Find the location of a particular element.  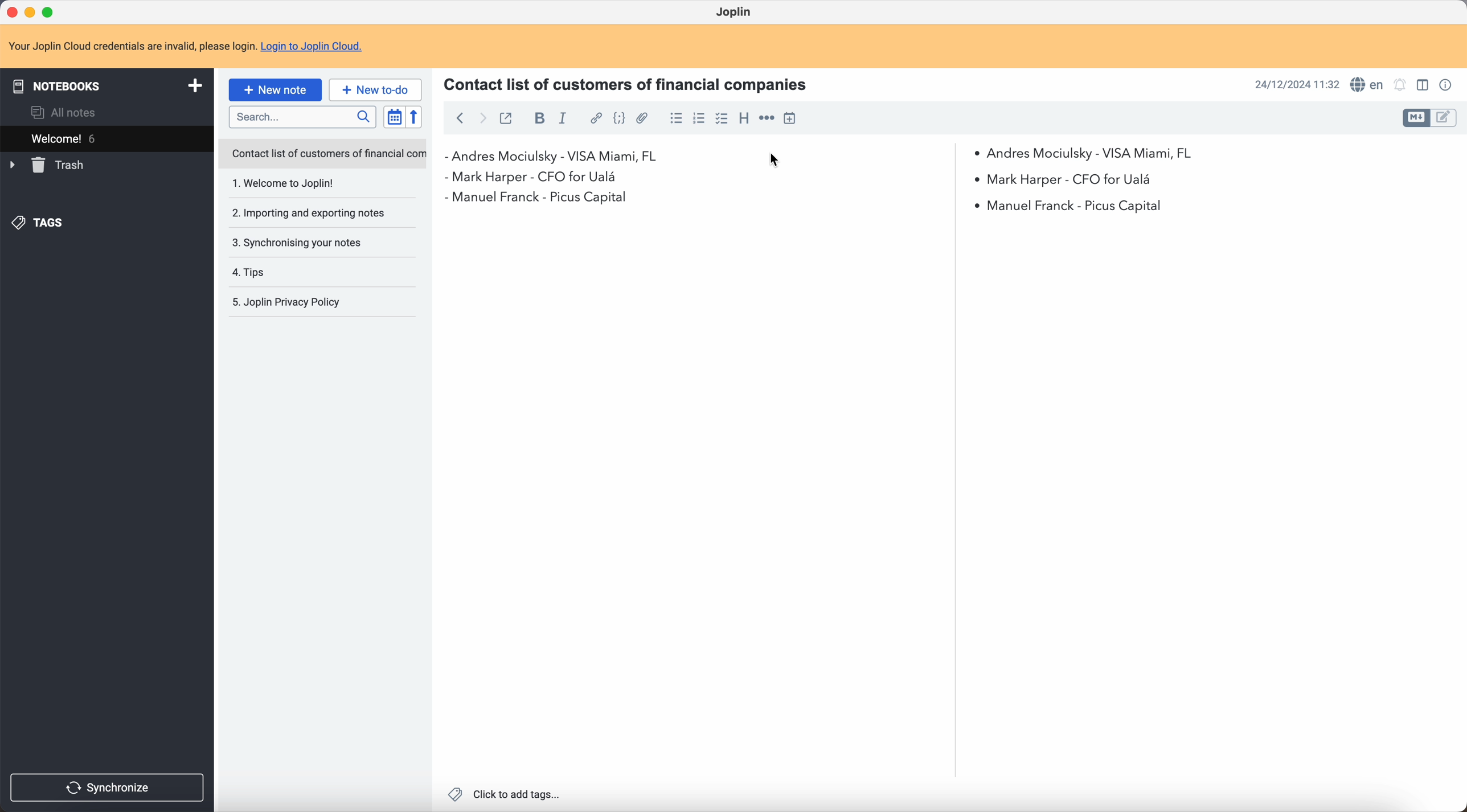

heading is located at coordinates (744, 119).